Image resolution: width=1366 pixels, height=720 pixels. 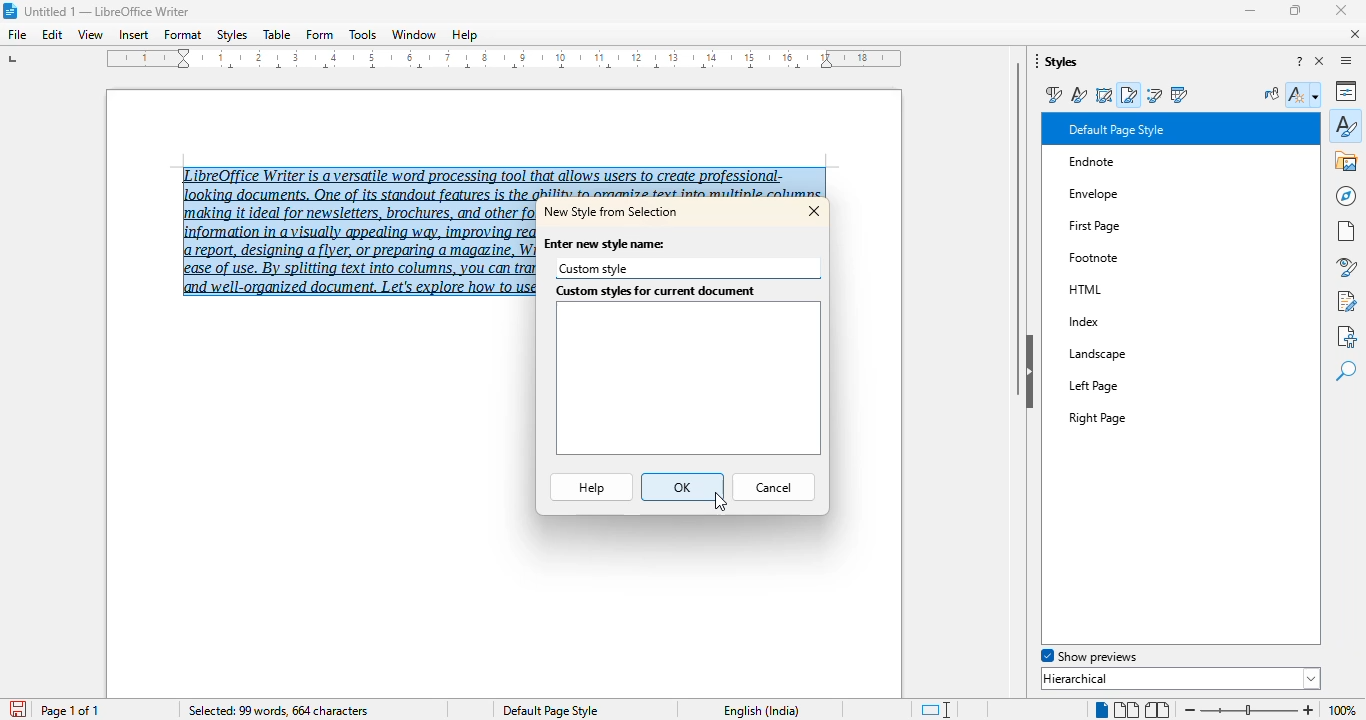 I want to click on enter new style name: , so click(x=607, y=243).